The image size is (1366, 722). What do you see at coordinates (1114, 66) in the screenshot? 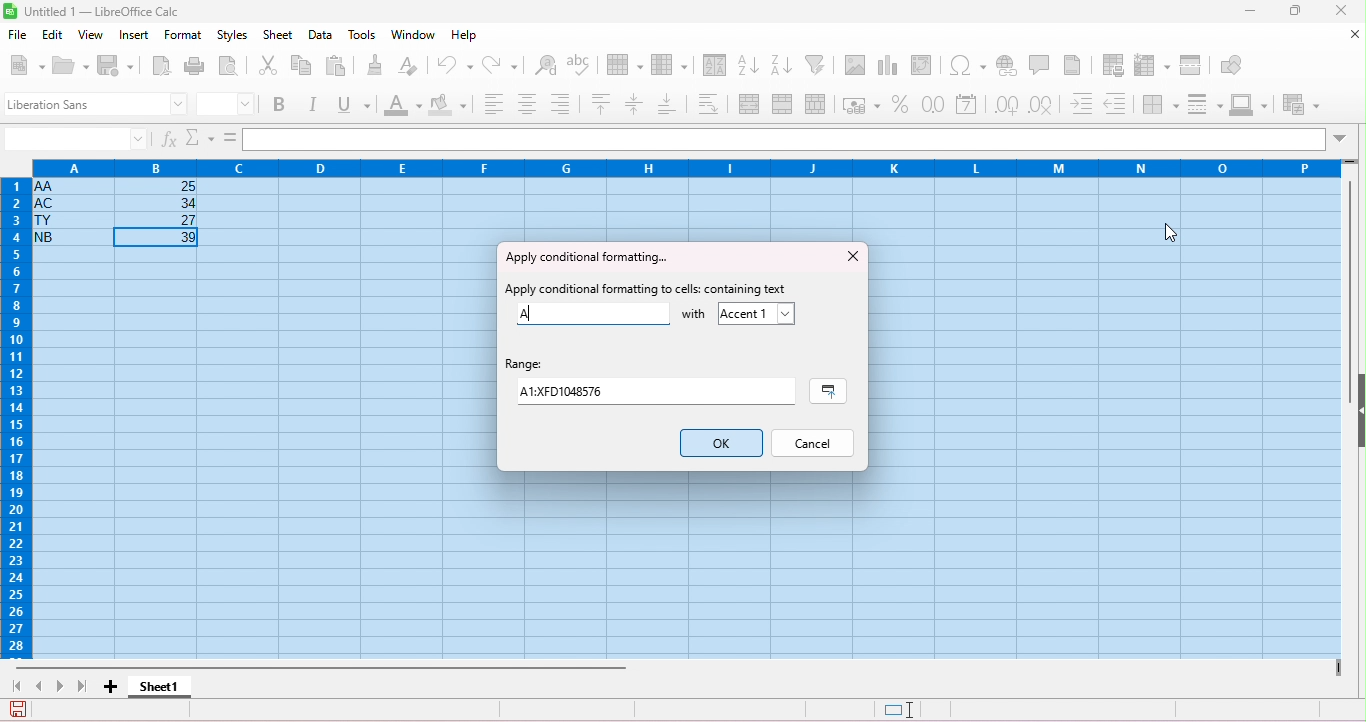
I see `define print area` at bounding box center [1114, 66].